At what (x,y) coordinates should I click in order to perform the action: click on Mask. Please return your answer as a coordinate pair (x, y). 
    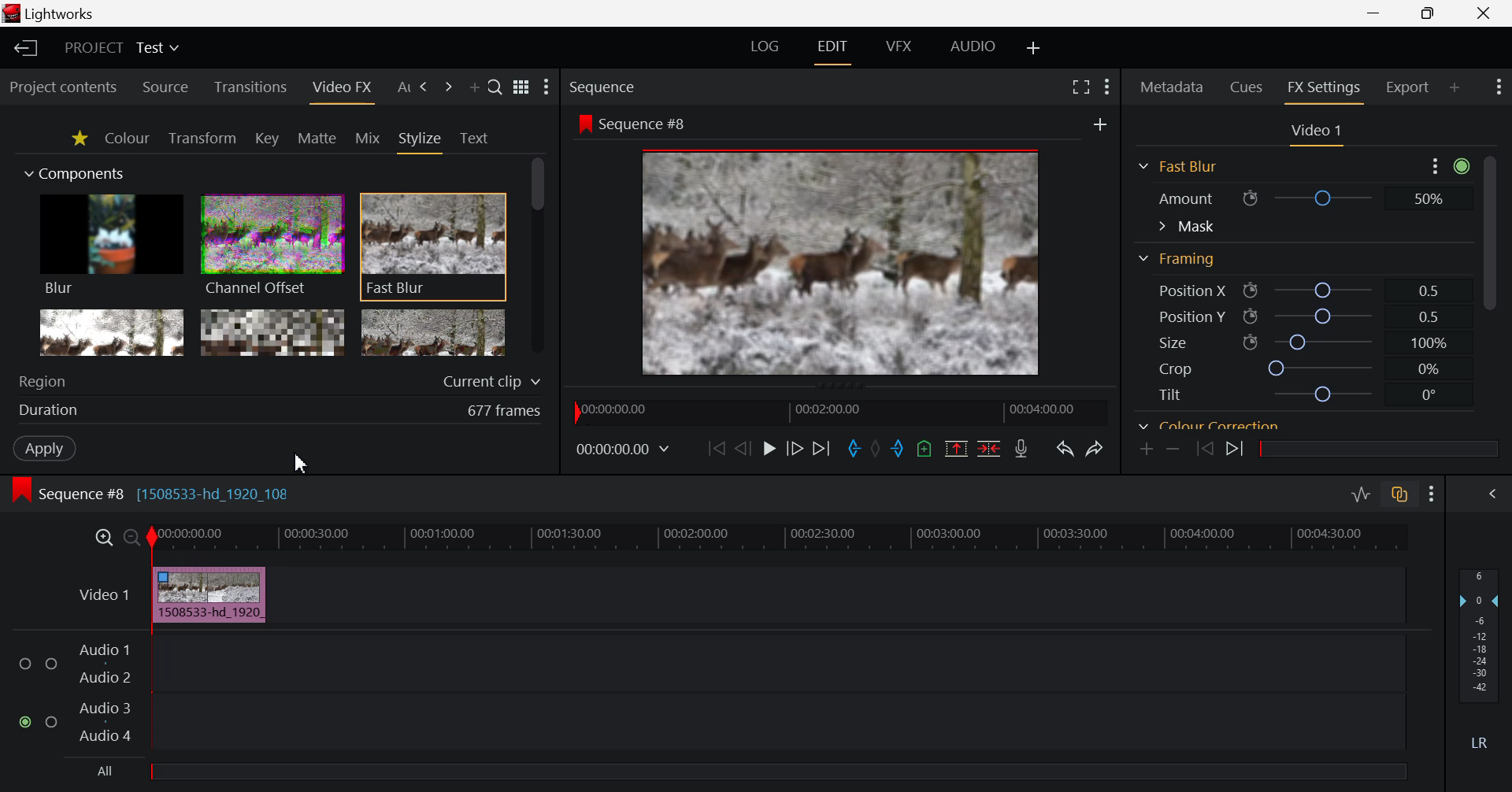
    Looking at the image, I should click on (1304, 224).